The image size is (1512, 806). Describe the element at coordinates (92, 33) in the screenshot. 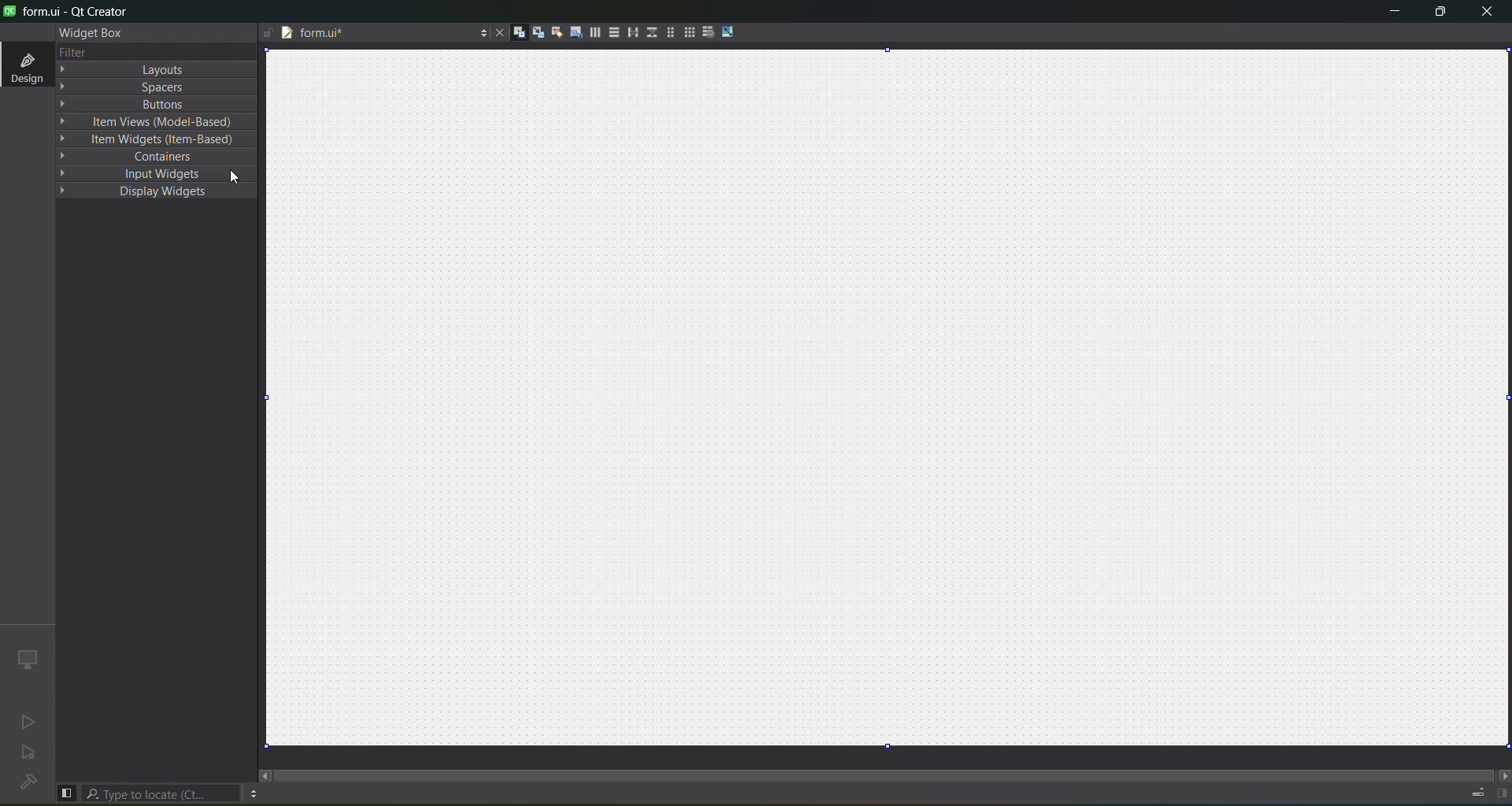

I see `widget box` at that location.